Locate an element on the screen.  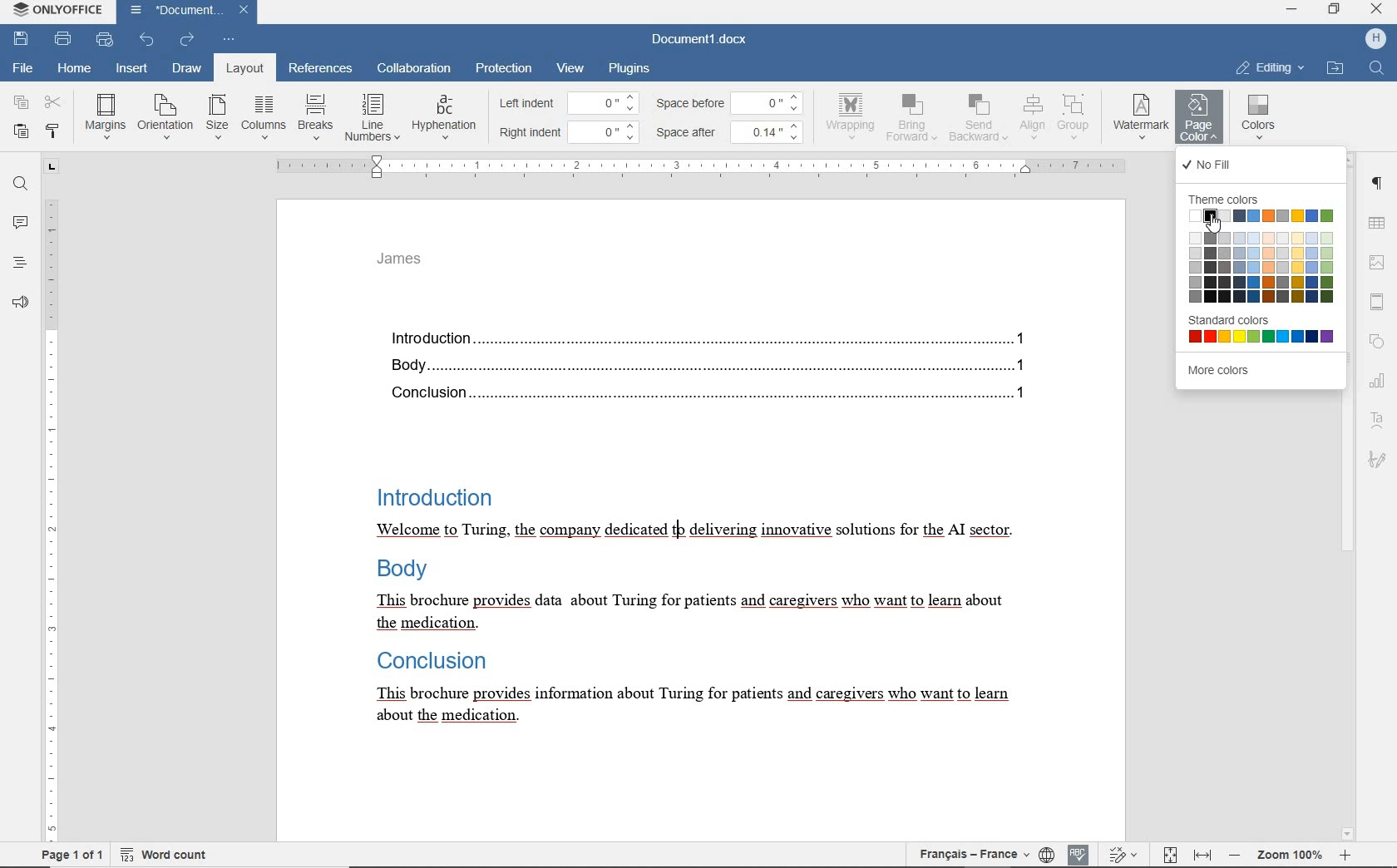
header & footer is located at coordinates (1378, 303).